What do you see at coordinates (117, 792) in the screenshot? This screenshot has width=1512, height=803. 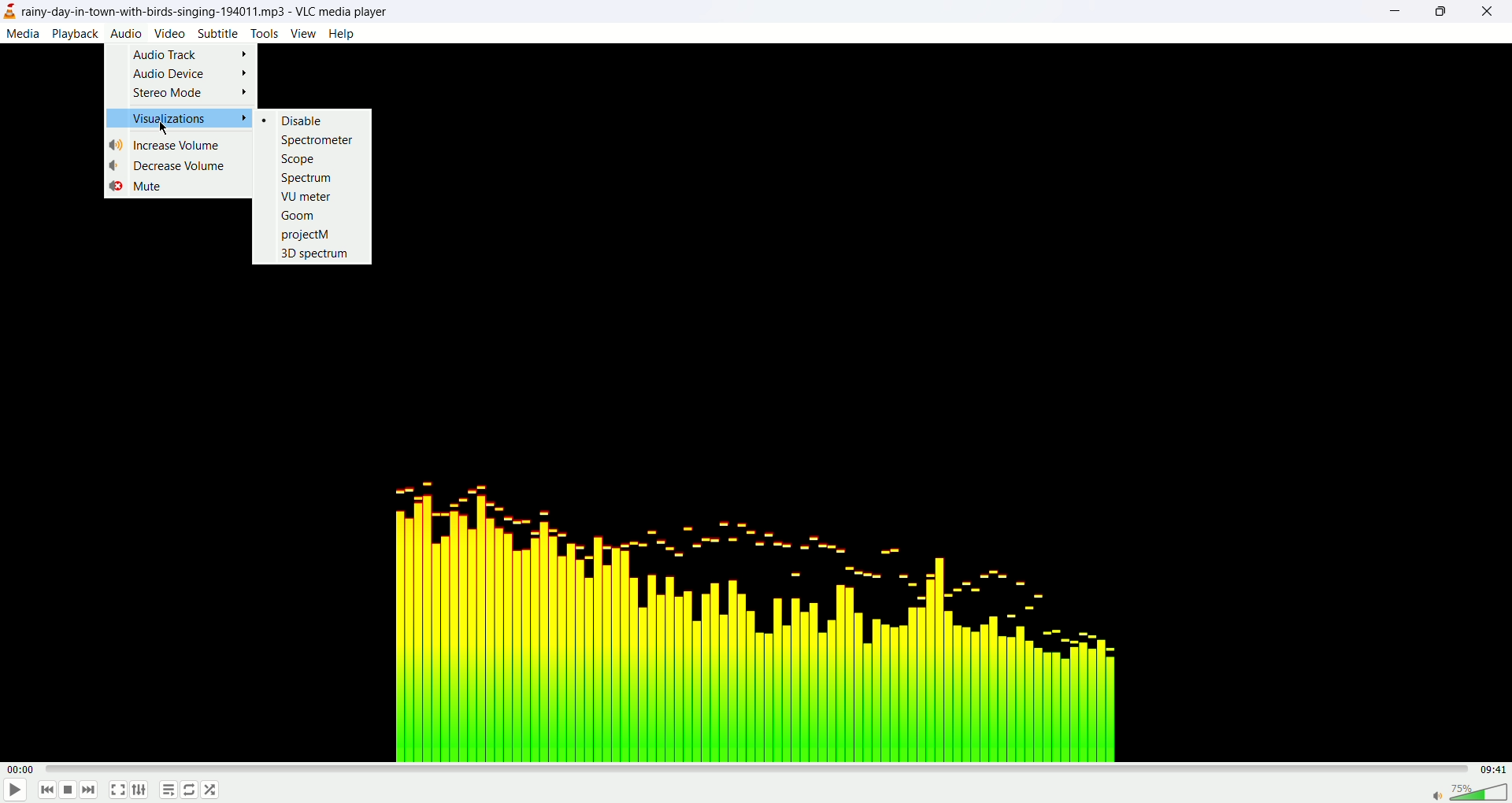 I see `full screen` at bounding box center [117, 792].